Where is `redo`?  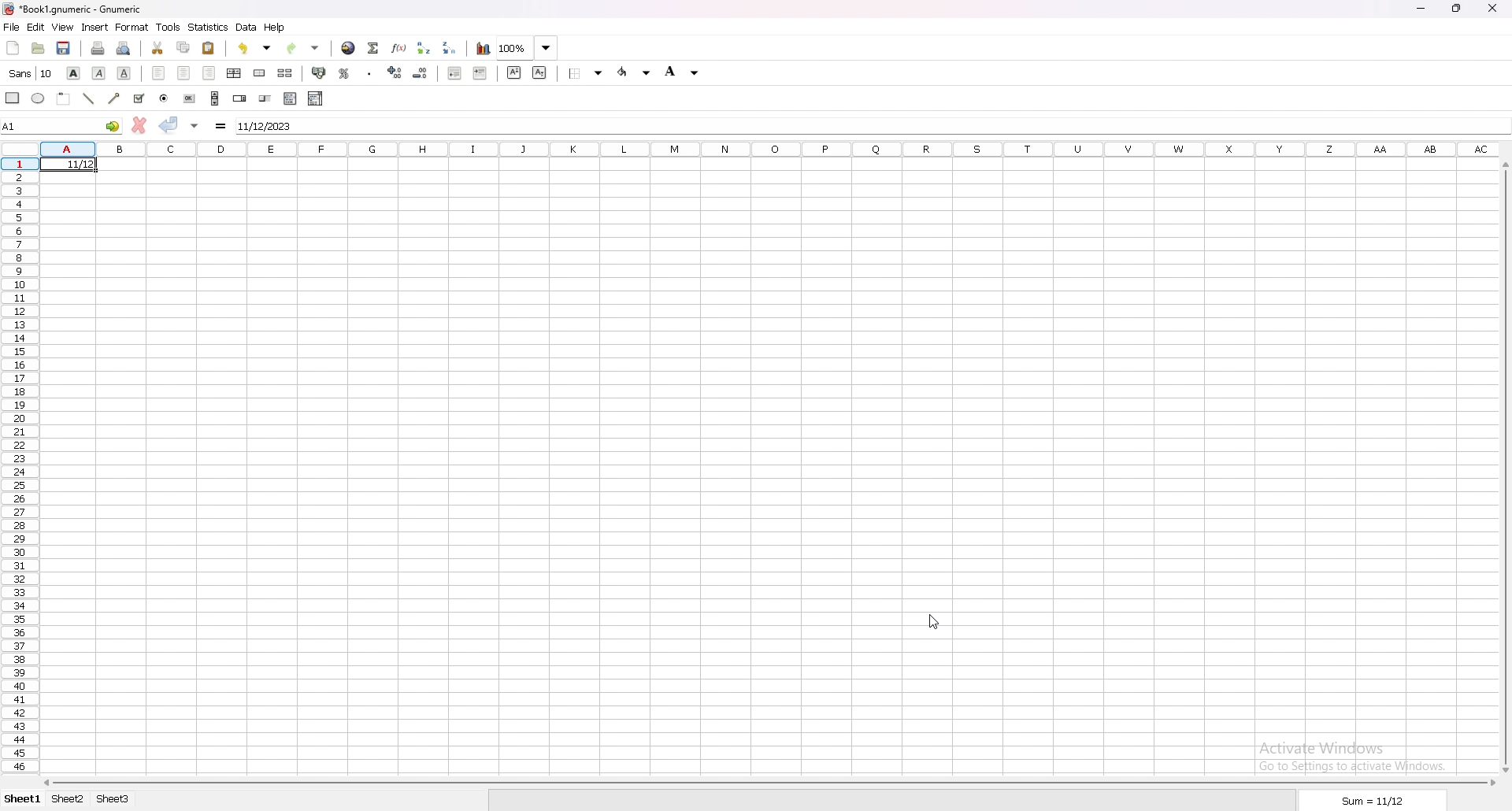 redo is located at coordinates (303, 48).